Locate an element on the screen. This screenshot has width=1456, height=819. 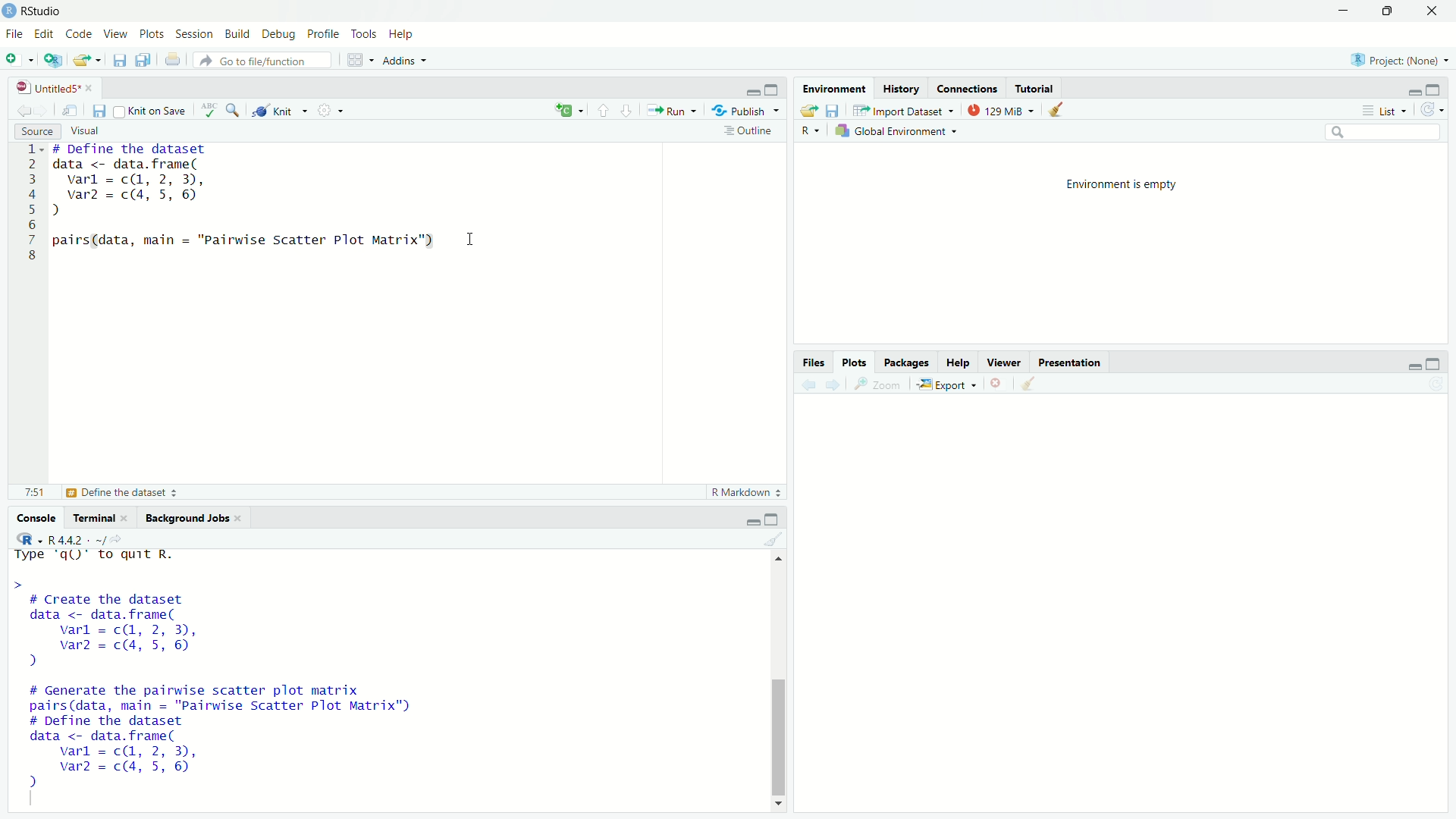
Edit is located at coordinates (45, 32).